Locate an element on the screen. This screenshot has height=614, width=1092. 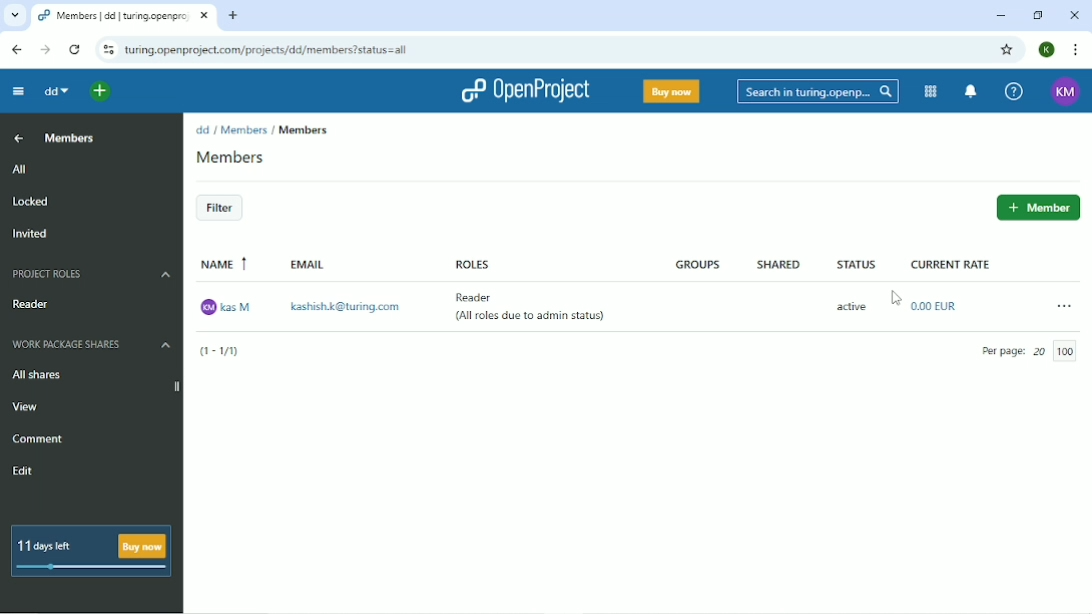
Restore down is located at coordinates (1037, 14).